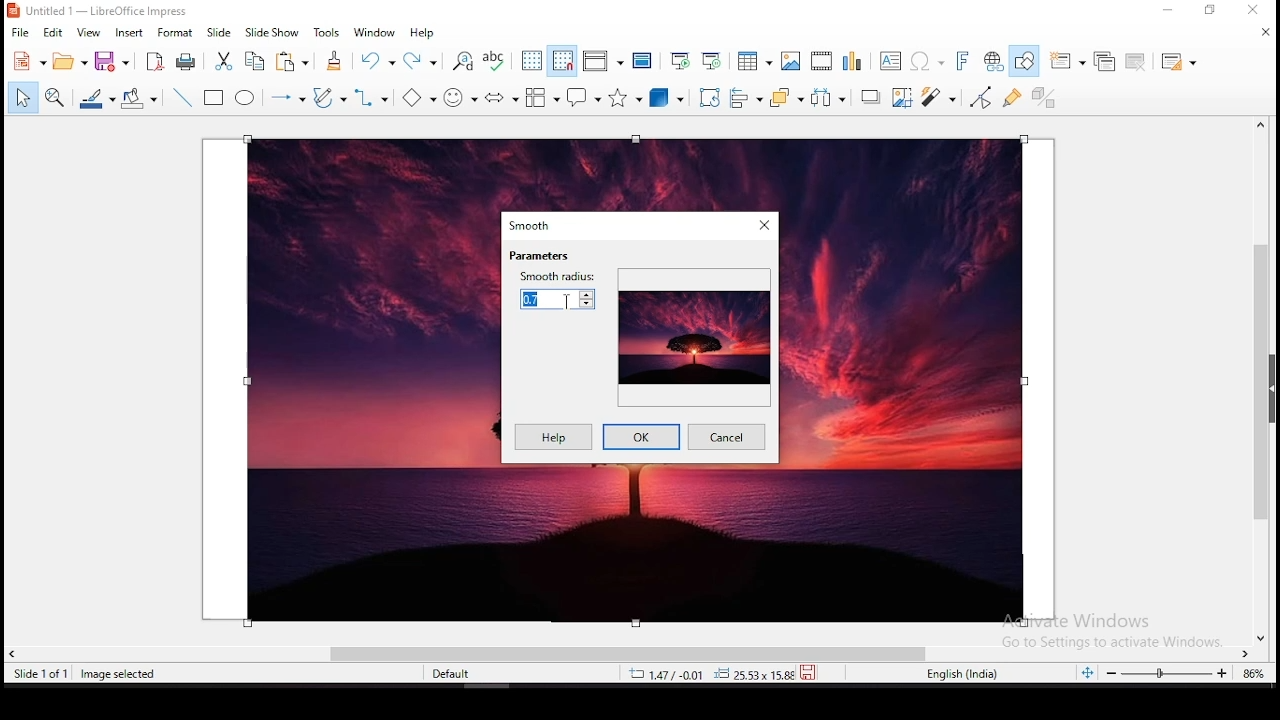  I want to click on rectangle tool, so click(215, 97).